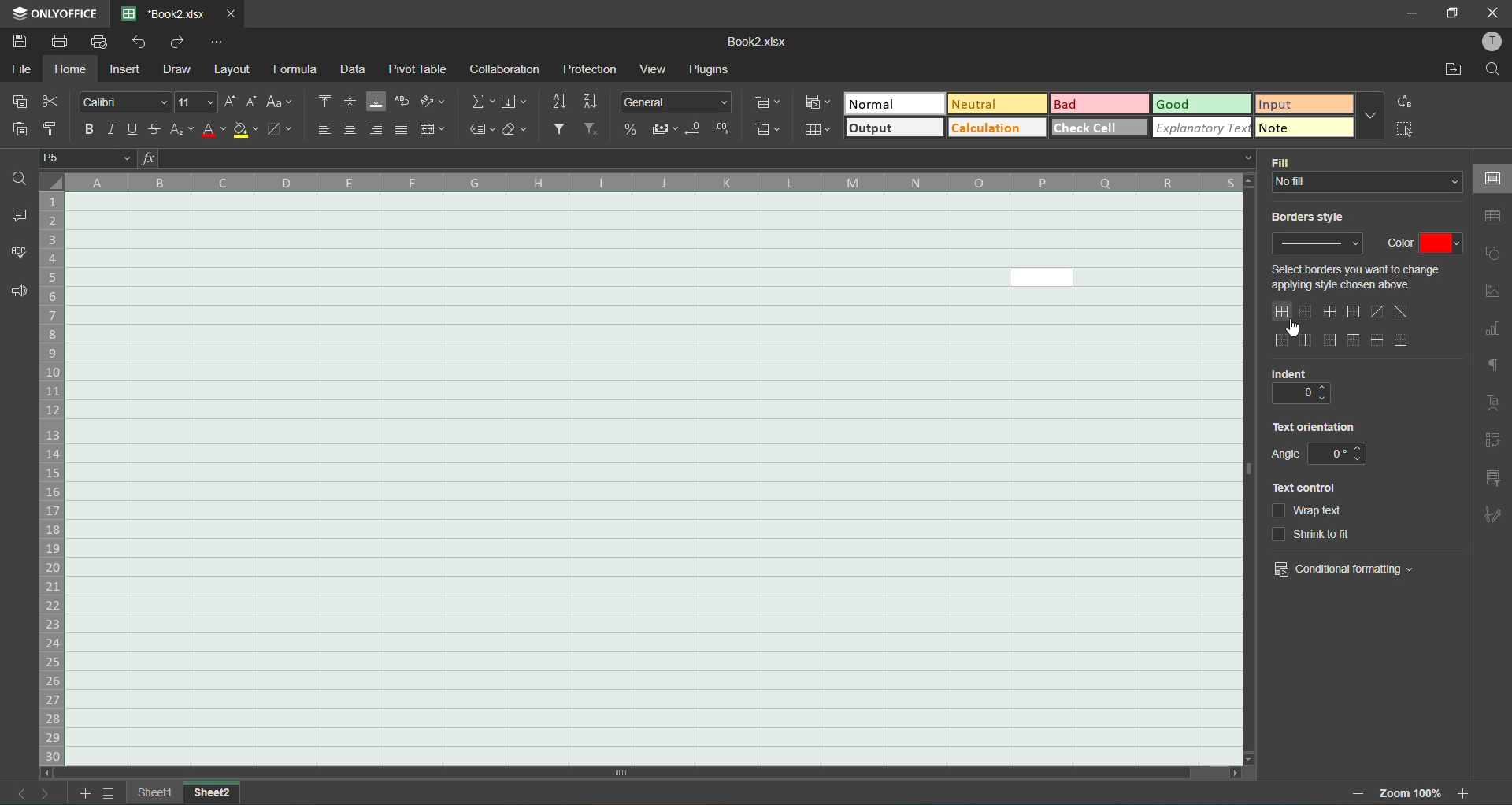  I want to click on column names, so click(661, 180).